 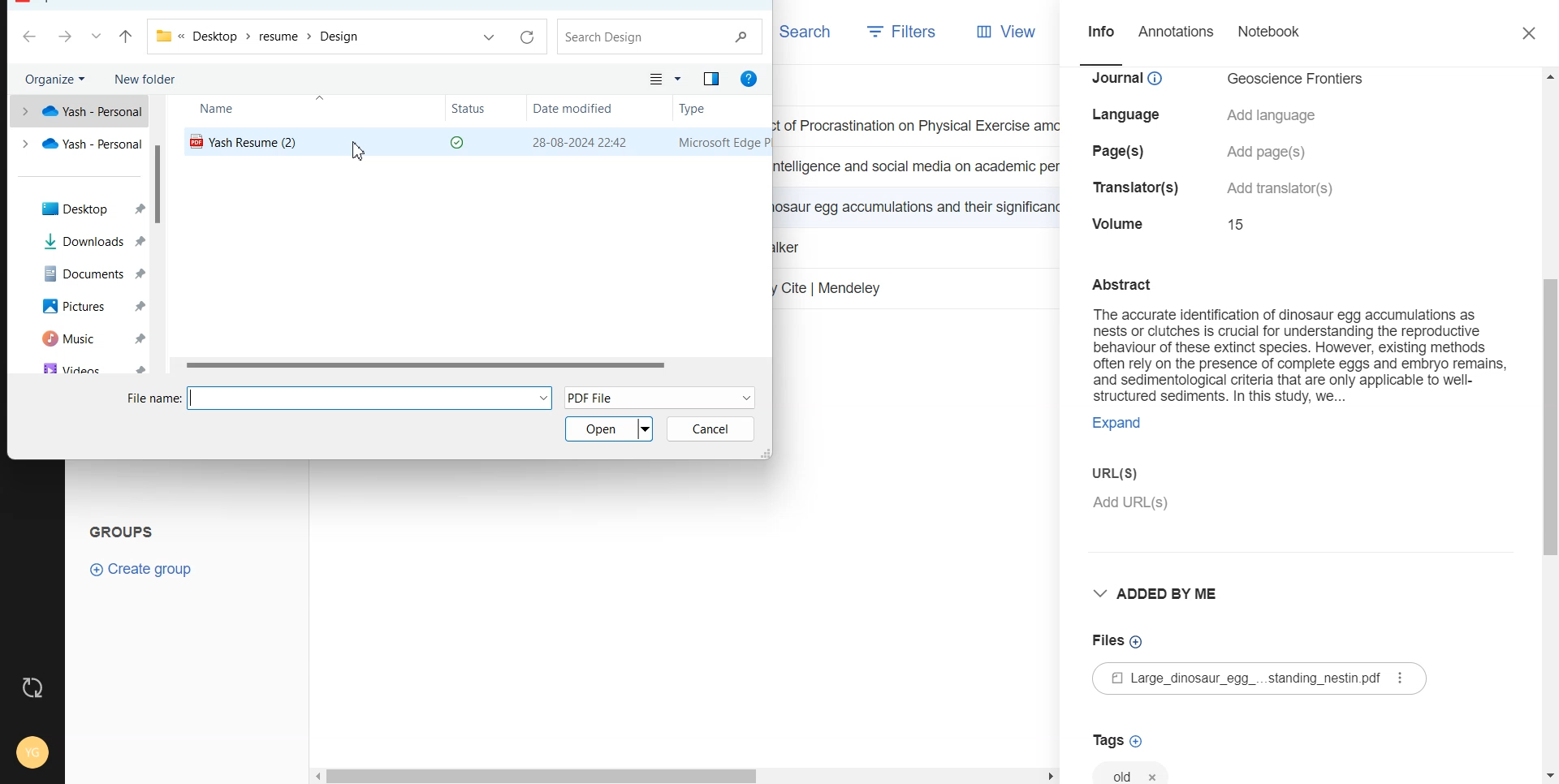 I want to click on Date modified, so click(x=580, y=141).